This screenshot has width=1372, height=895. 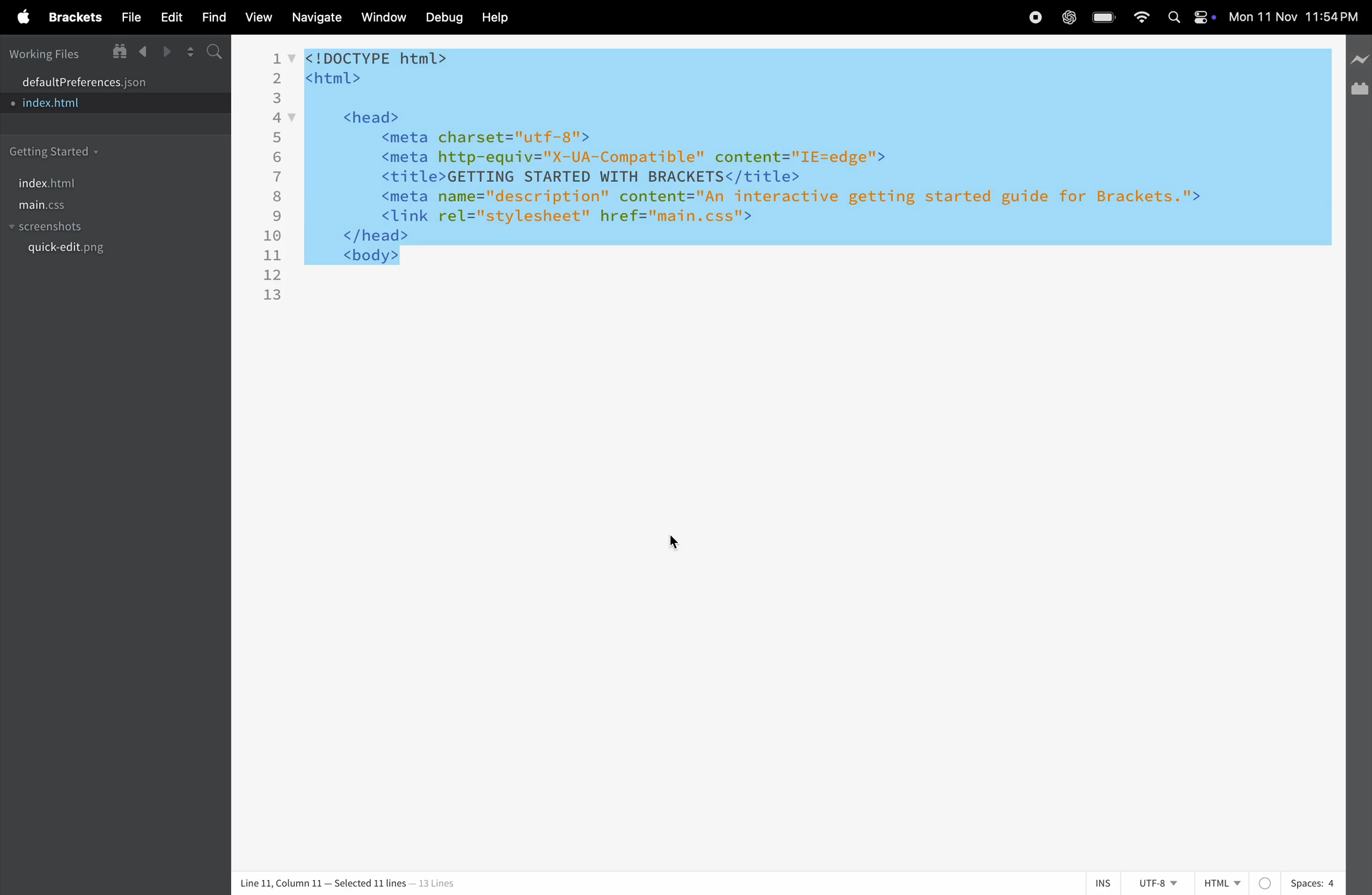 What do you see at coordinates (276, 138) in the screenshot?
I see `5` at bounding box center [276, 138].